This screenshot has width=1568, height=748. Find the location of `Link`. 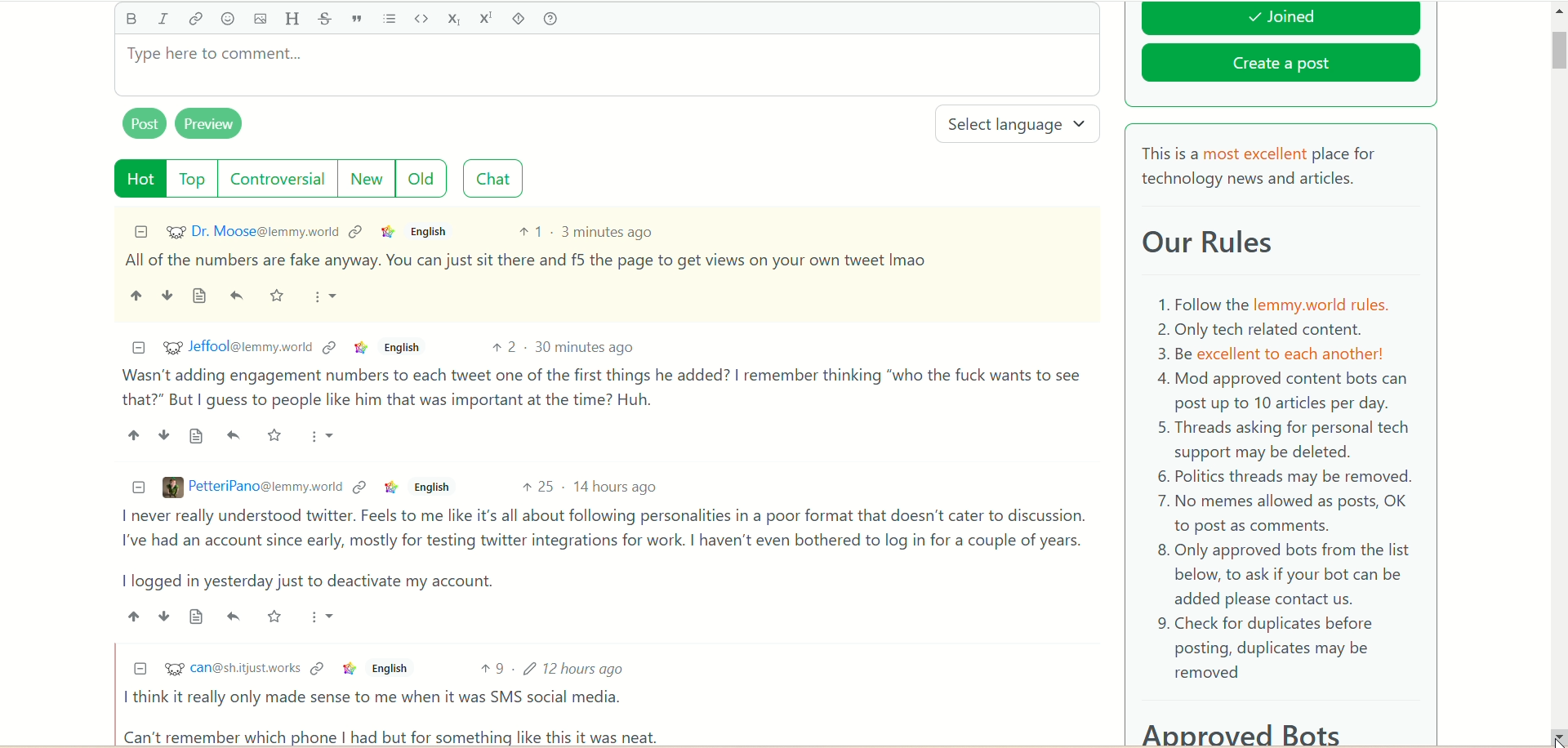

Link is located at coordinates (389, 231).